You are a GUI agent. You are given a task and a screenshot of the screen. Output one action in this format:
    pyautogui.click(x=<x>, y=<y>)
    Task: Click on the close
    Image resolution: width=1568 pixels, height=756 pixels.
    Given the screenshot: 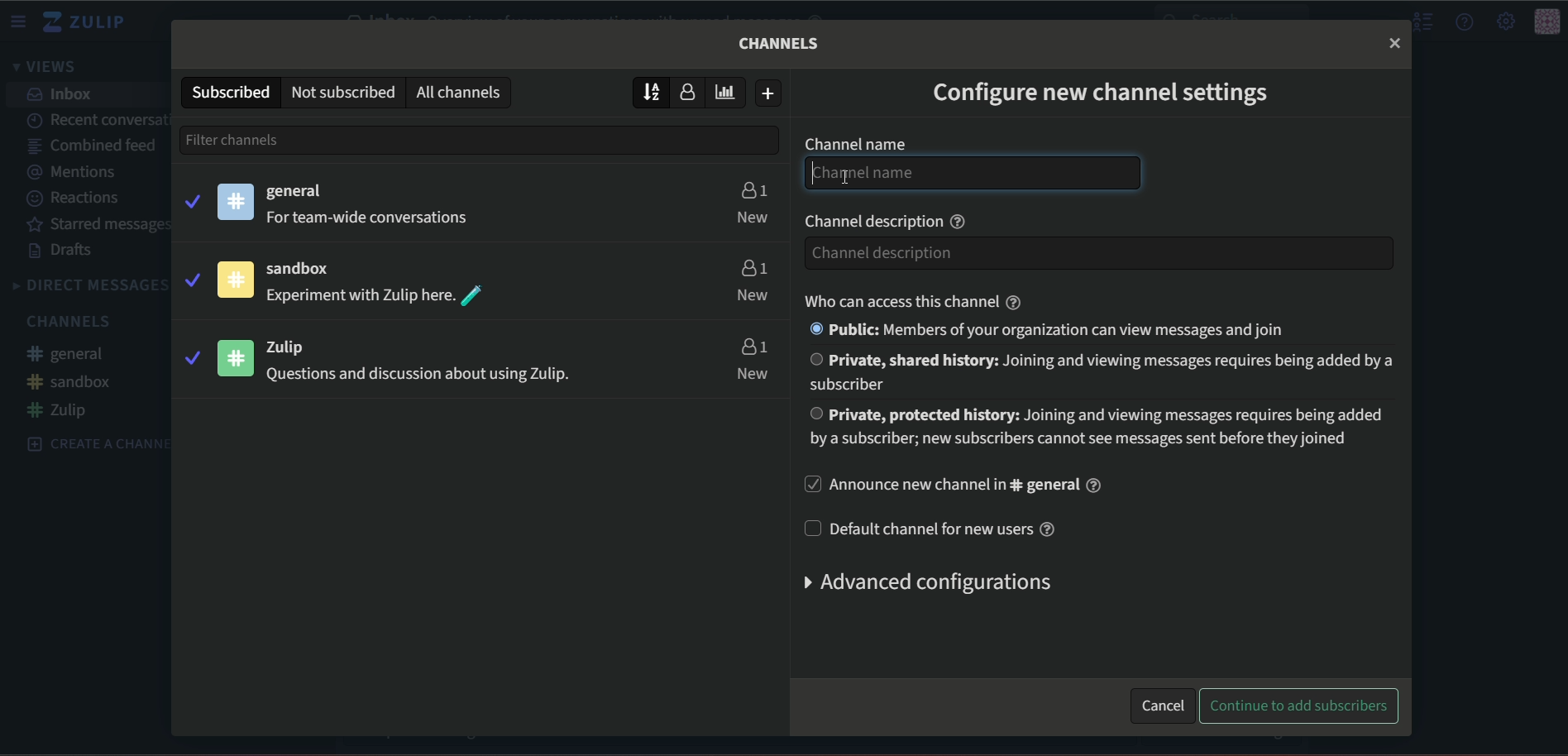 What is the action you would take?
    pyautogui.click(x=1394, y=42)
    